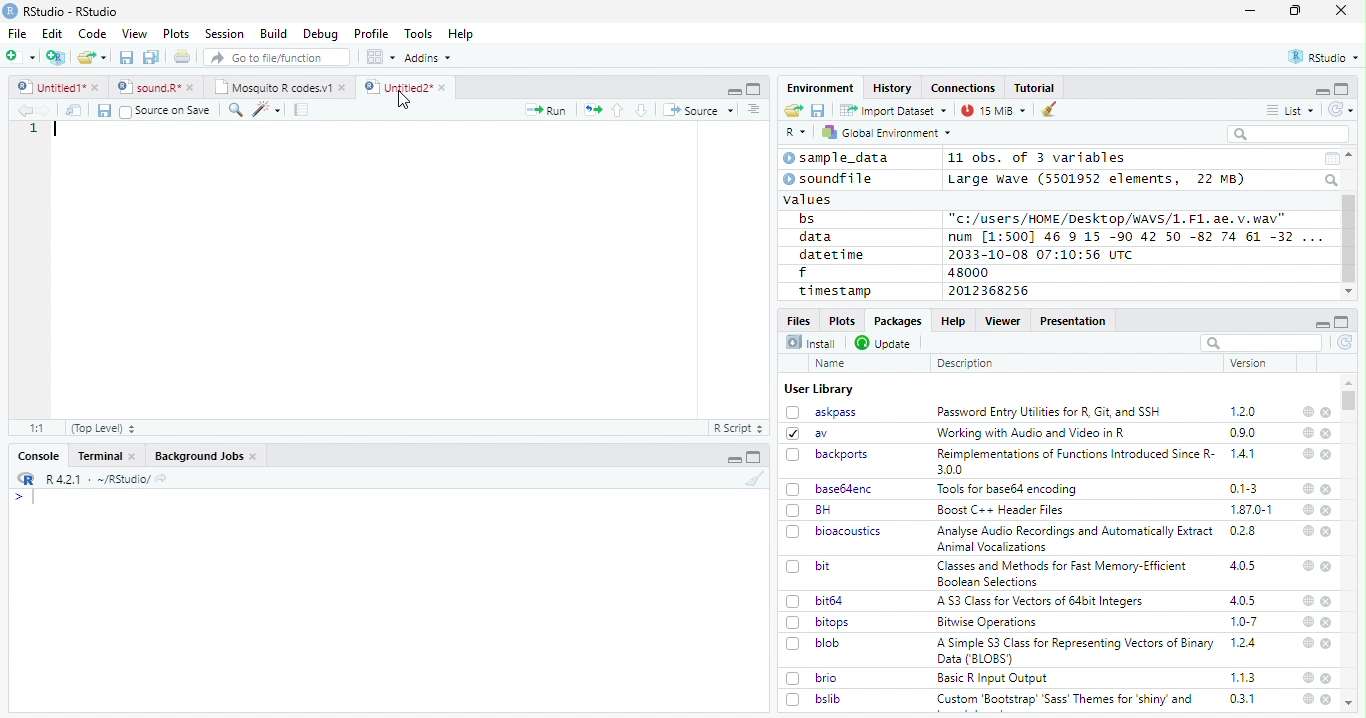 This screenshot has height=718, width=1366. I want to click on 0.2.8, so click(1244, 530).